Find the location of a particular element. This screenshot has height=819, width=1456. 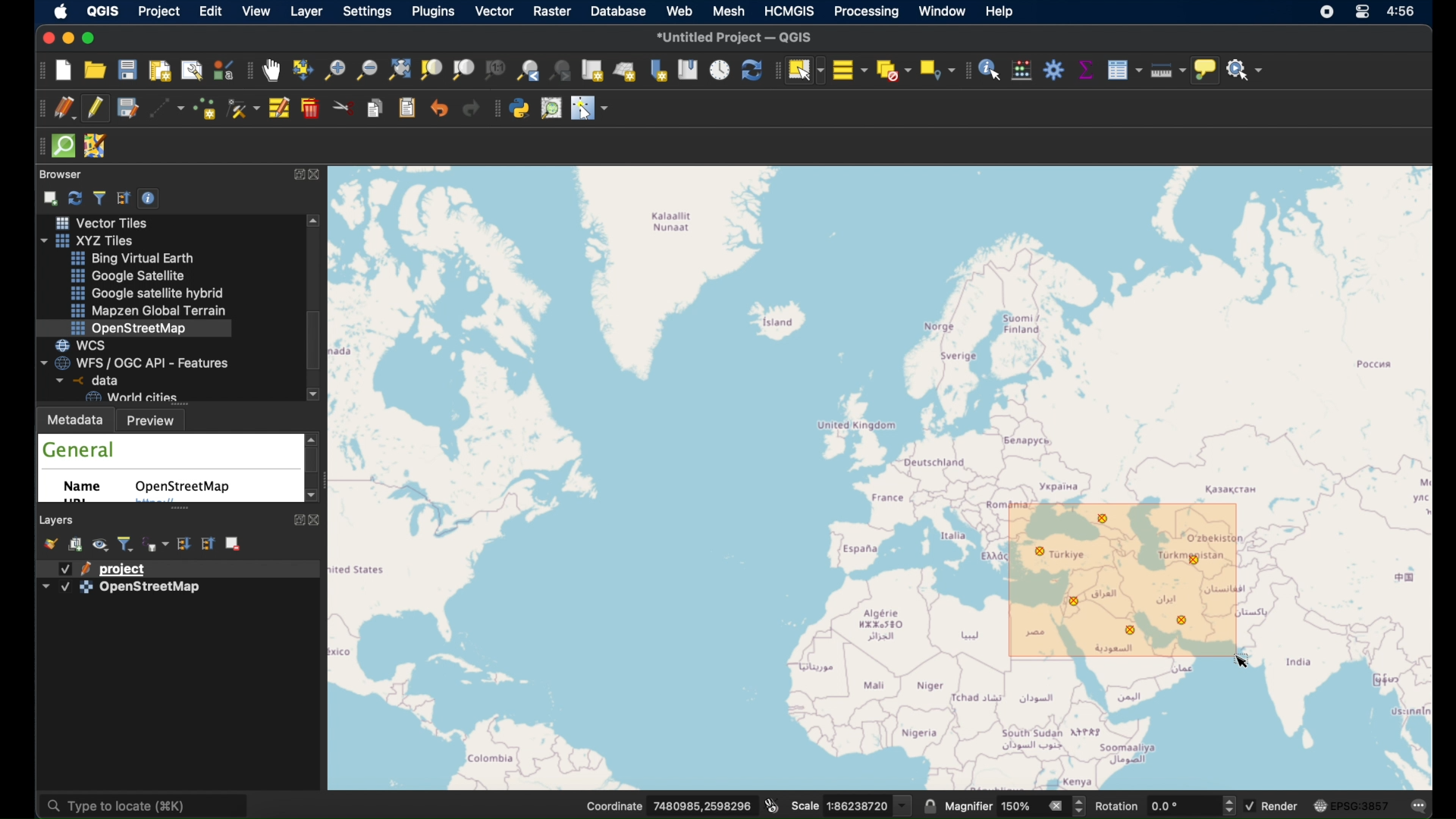

untitled project - QGIS is located at coordinates (735, 36).